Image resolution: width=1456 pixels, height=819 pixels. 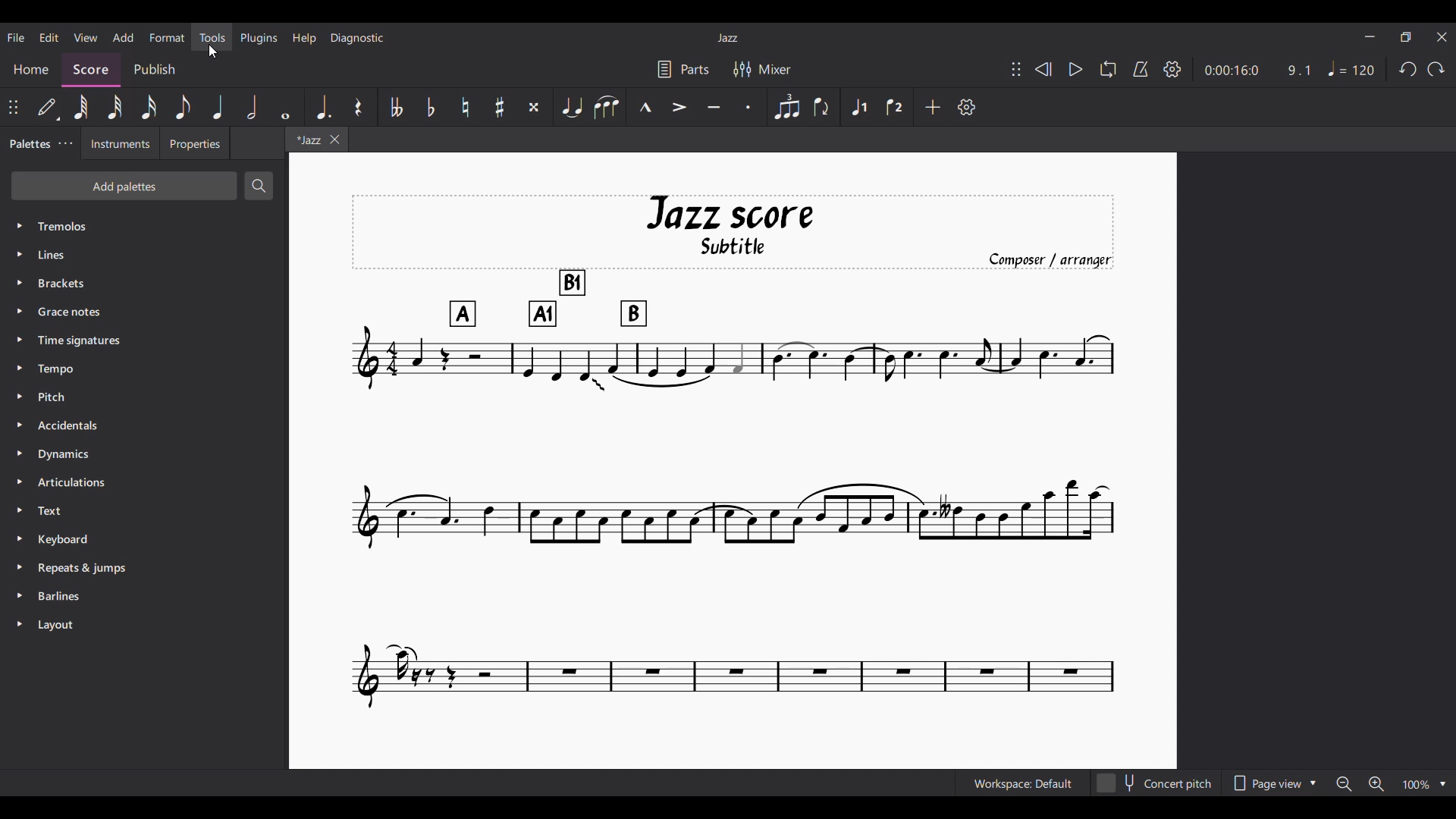 I want to click on Zoom in, so click(x=1376, y=783).